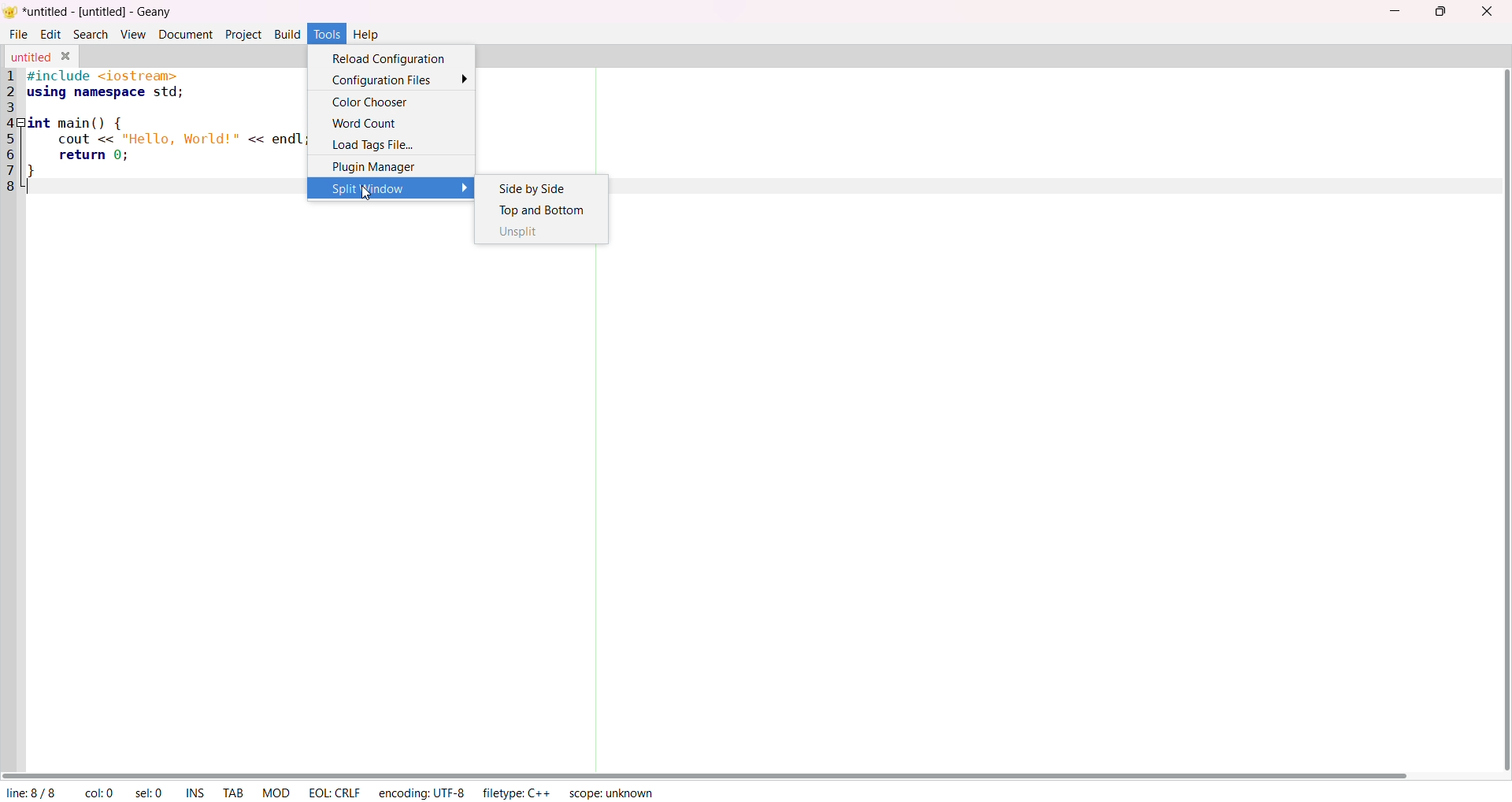 The height and width of the screenshot is (802, 1512). I want to click on Split Window, so click(393, 189).